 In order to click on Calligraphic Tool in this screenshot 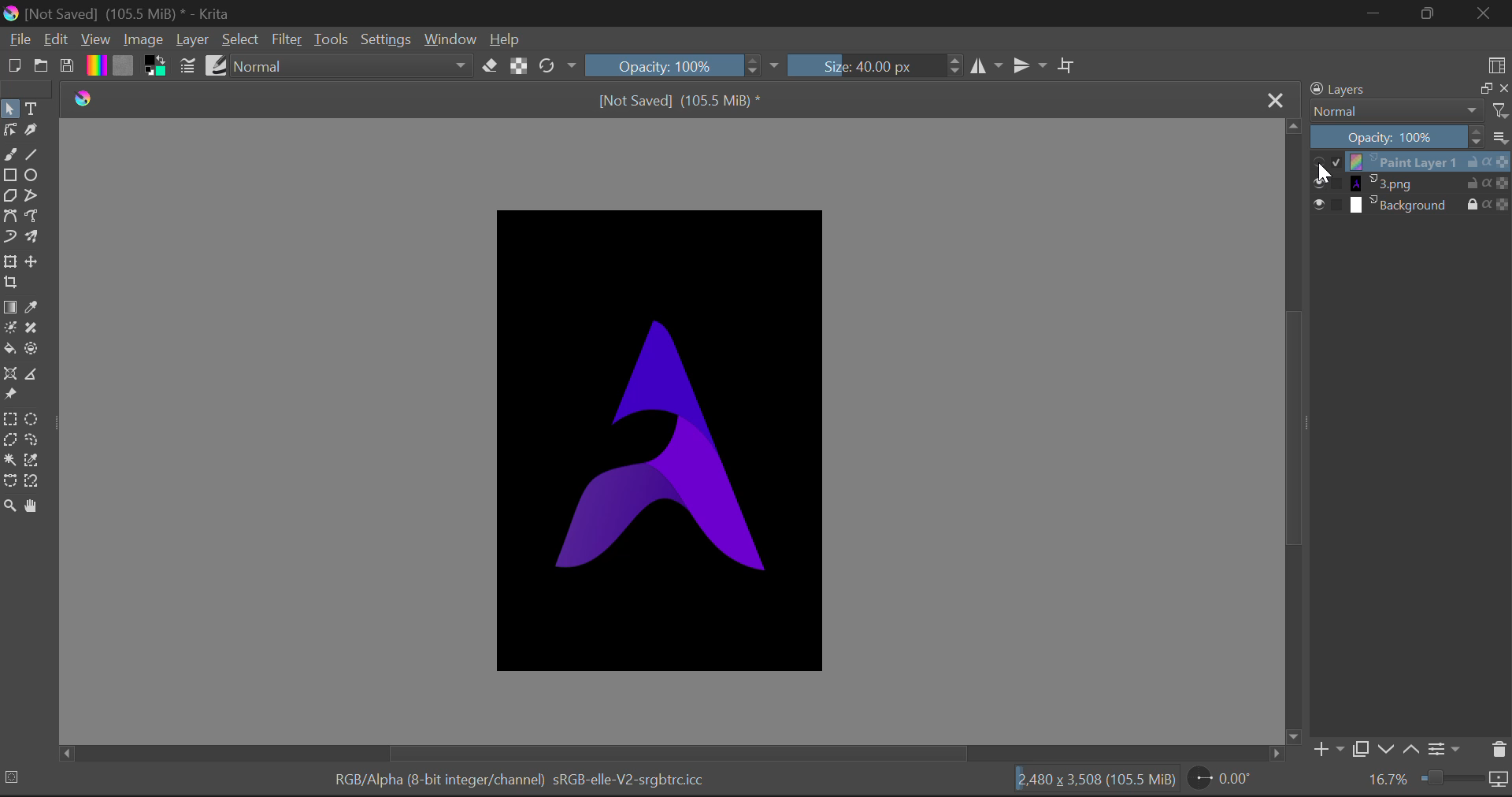, I will do `click(38, 131)`.